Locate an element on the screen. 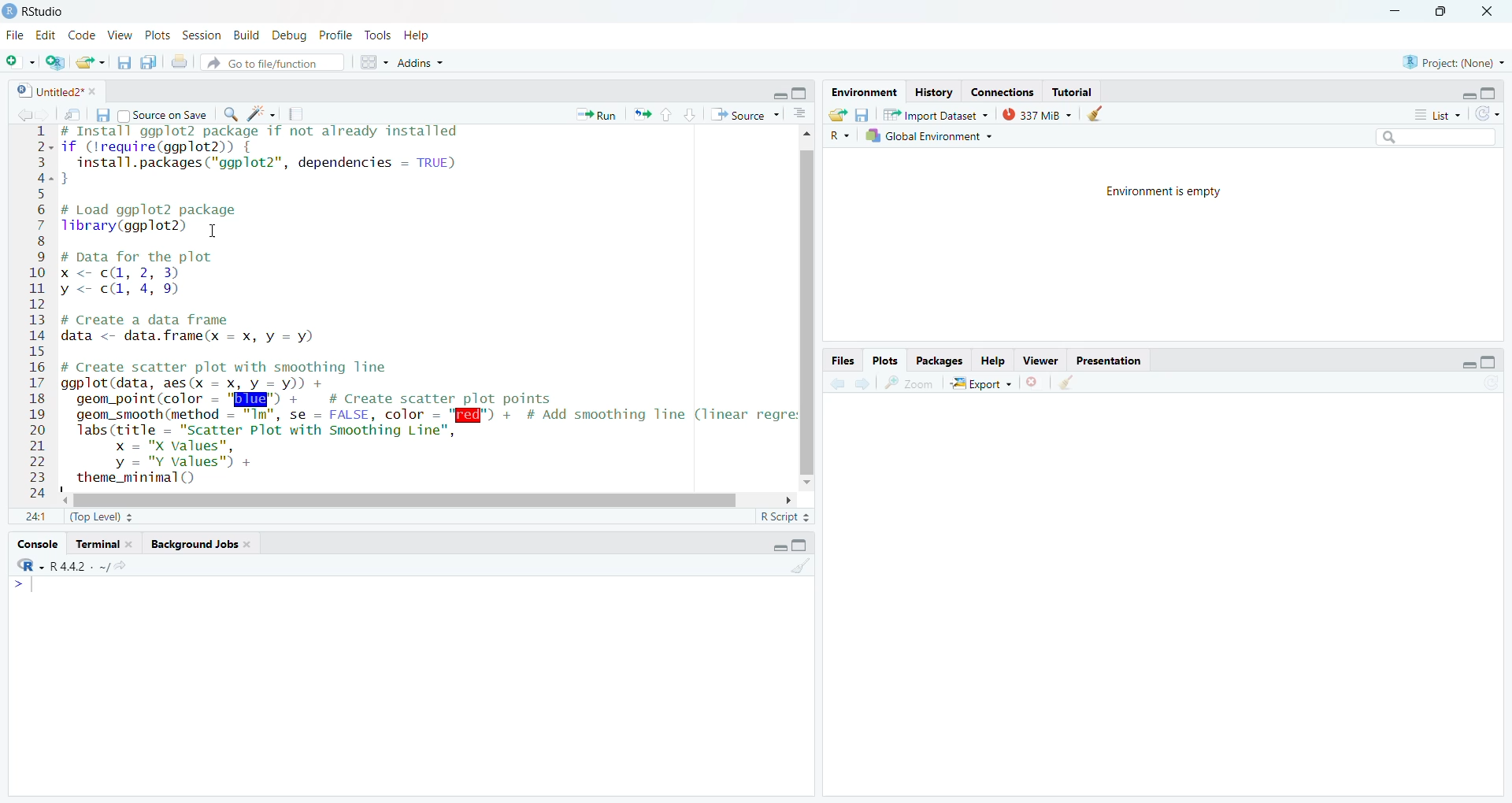 This screenshot has width=1512, height=803. hide r script is located at coordinates (1466, 91).